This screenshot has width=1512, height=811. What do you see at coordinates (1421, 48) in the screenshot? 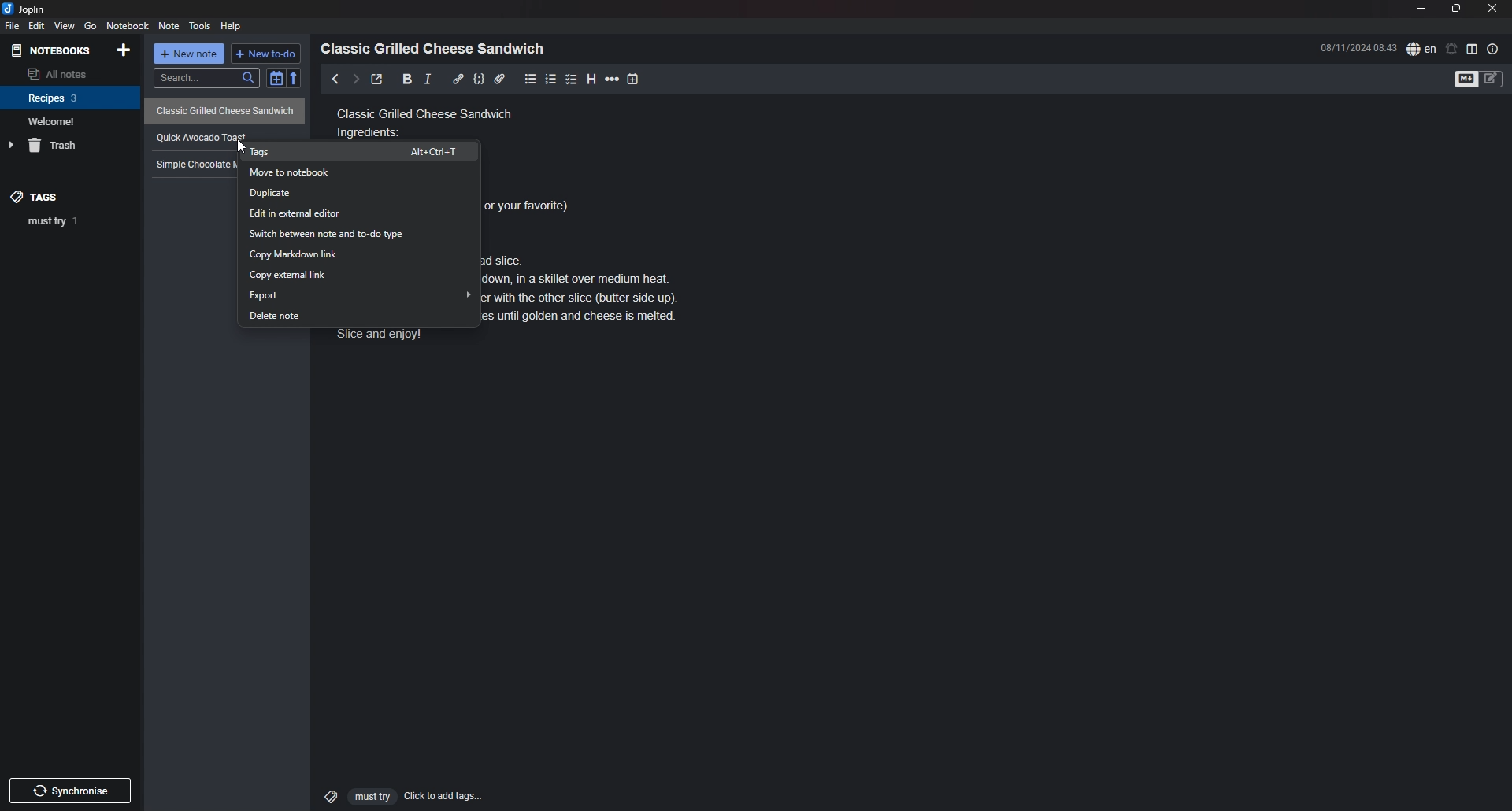
I see `spell check` at bounding box center [1421, 48].